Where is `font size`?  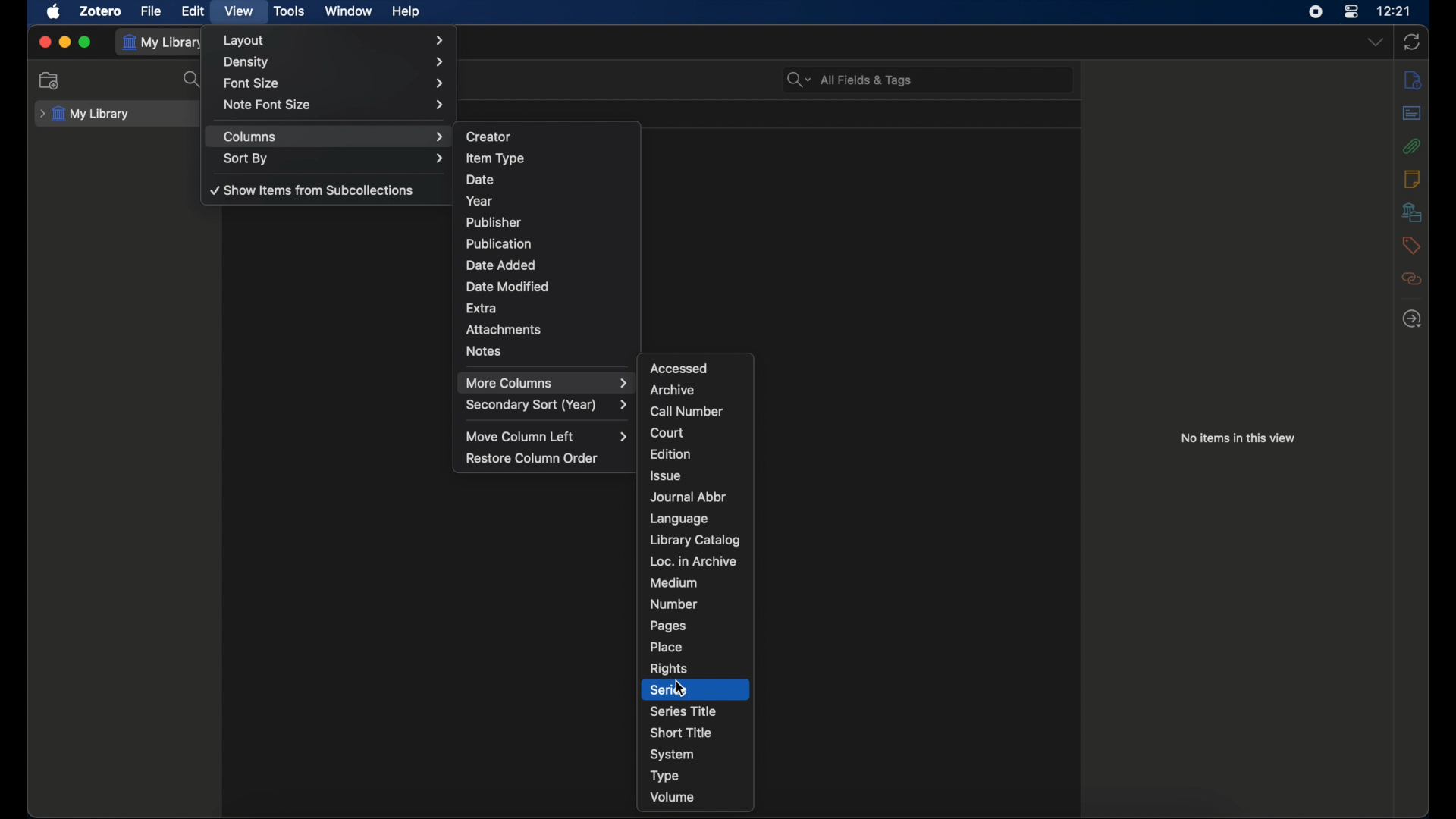
font size is located at coordinates (335, 84).